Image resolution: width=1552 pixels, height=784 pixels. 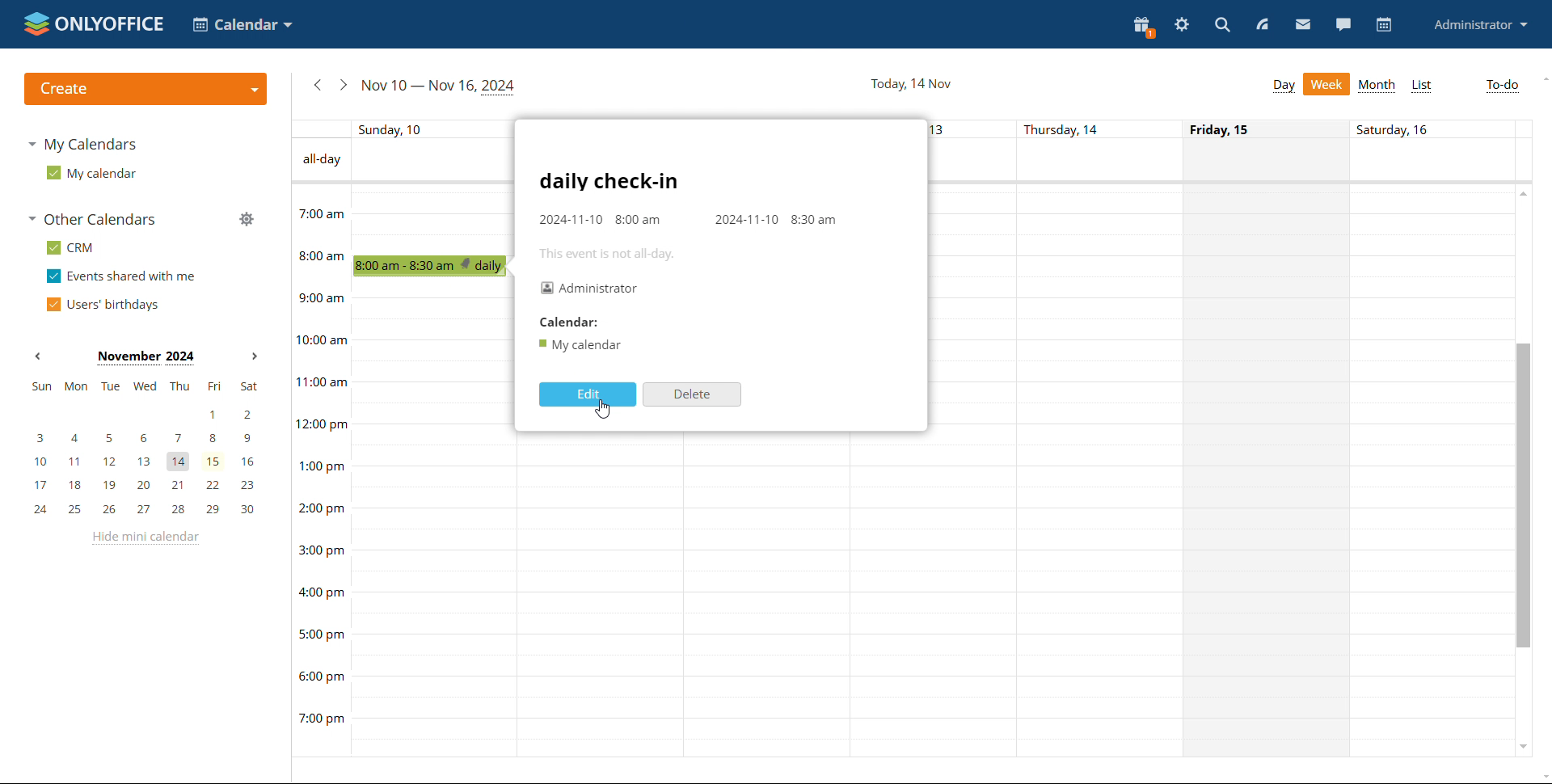 I want to click on time of the day, so click(x=320, y=456).